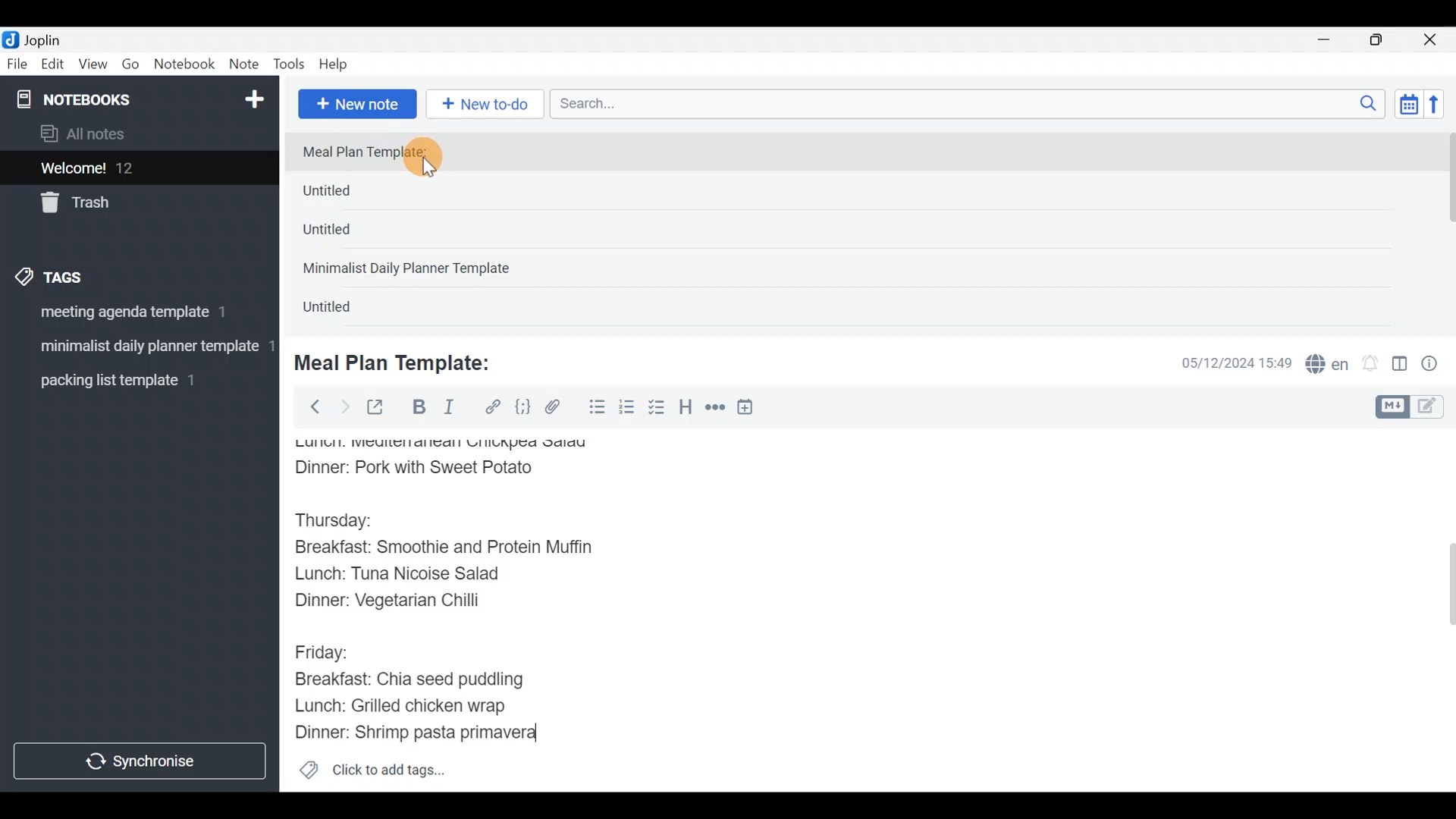  I want to click on Synchronize, so click(142, 761).